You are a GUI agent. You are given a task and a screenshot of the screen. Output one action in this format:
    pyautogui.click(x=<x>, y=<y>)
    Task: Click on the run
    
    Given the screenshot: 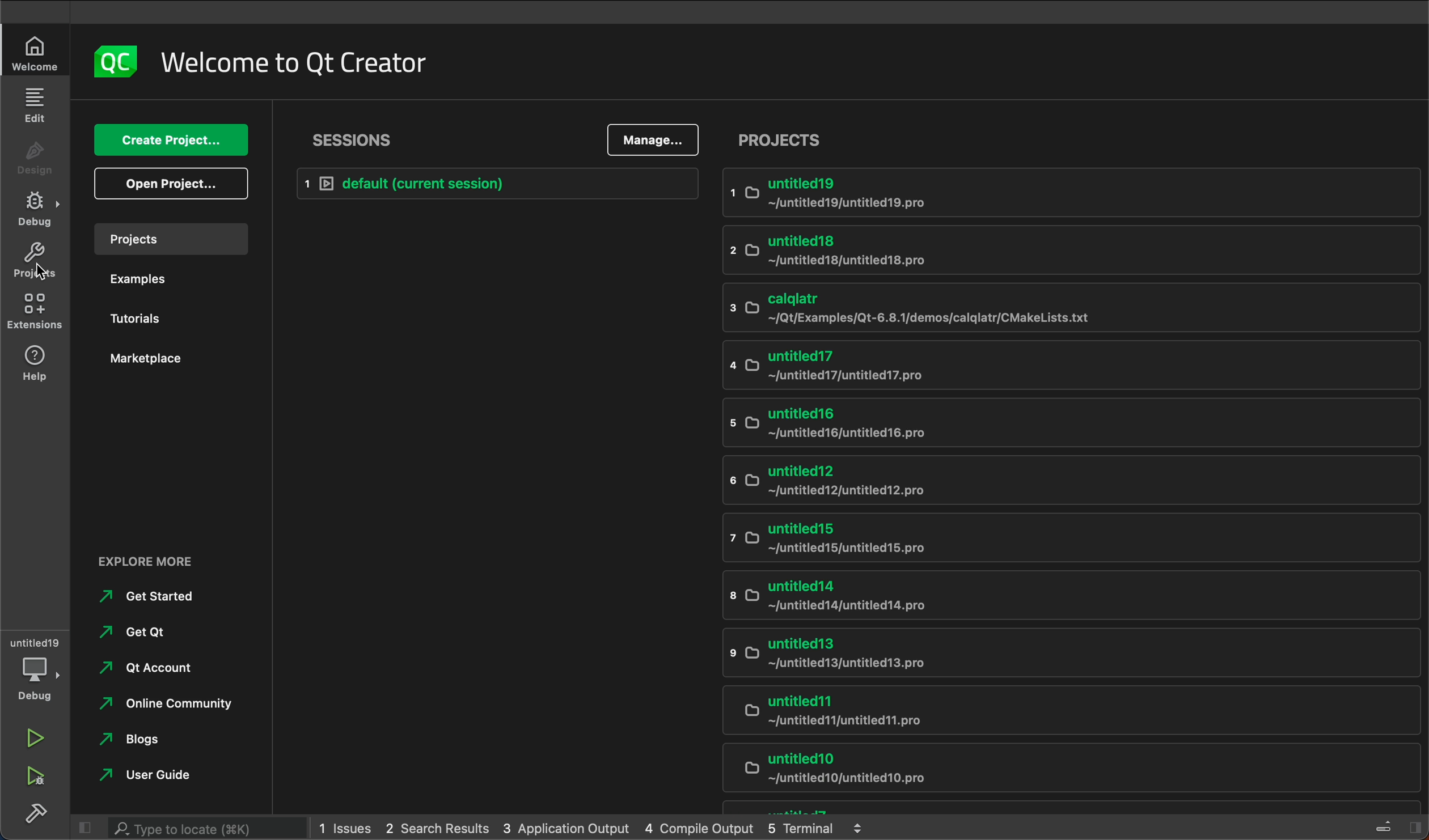 What is the action you would take?
    pyautogui.click(x=38, y=739)
    